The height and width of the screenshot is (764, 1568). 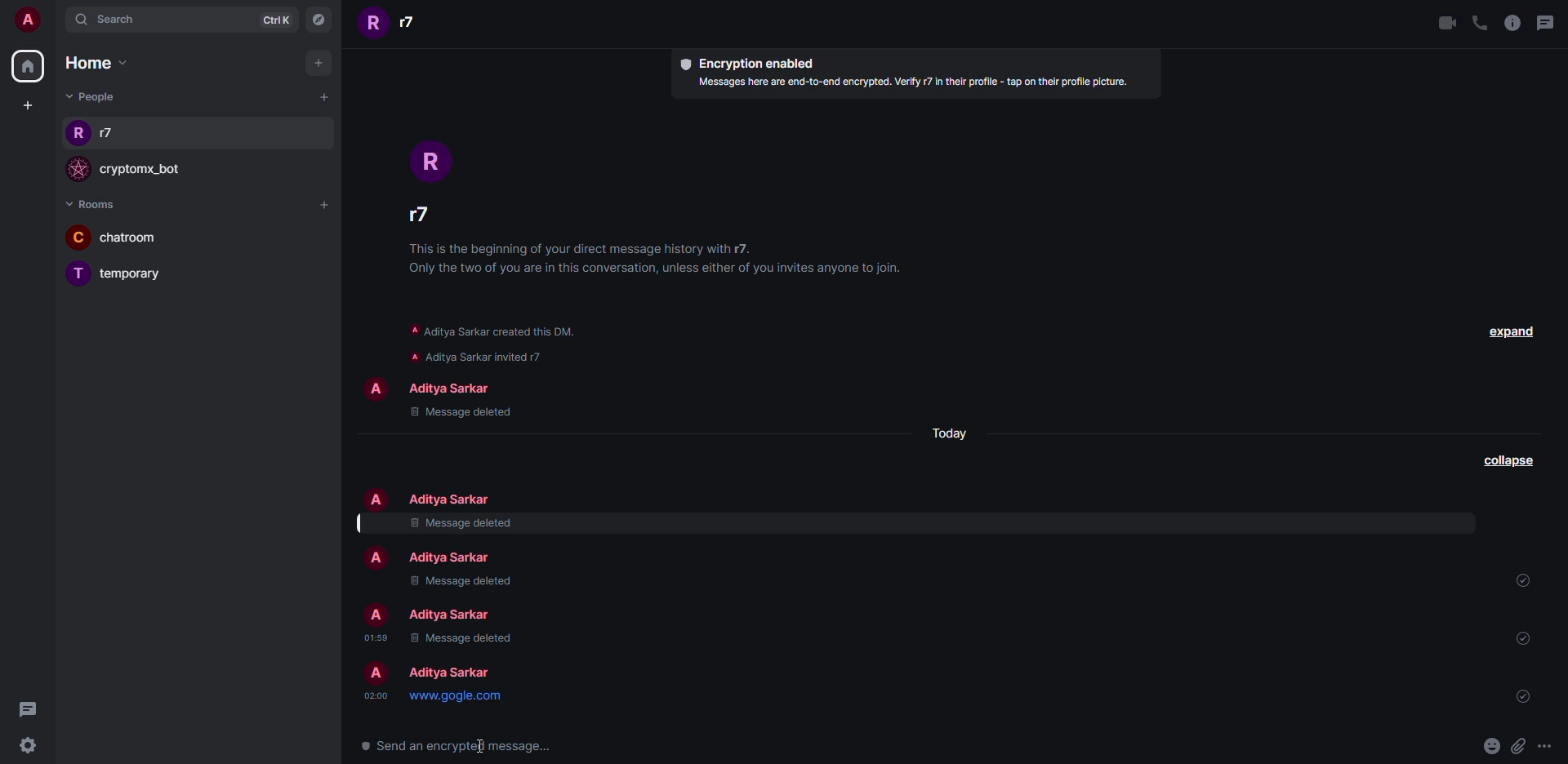 I want to click on profile, so click(x=78, y=170).